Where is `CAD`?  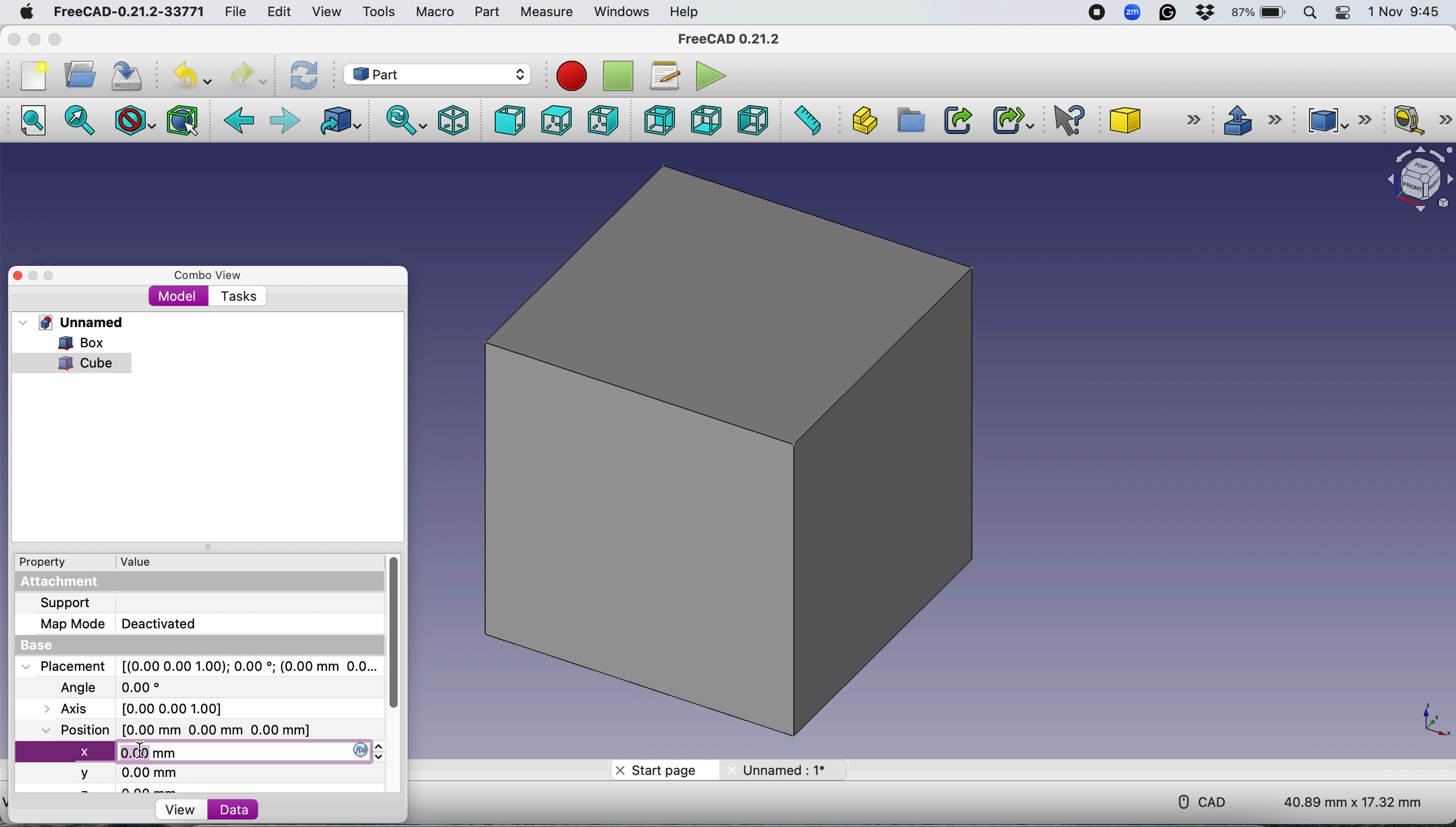
CAD is located at coordinates (1197, 800).